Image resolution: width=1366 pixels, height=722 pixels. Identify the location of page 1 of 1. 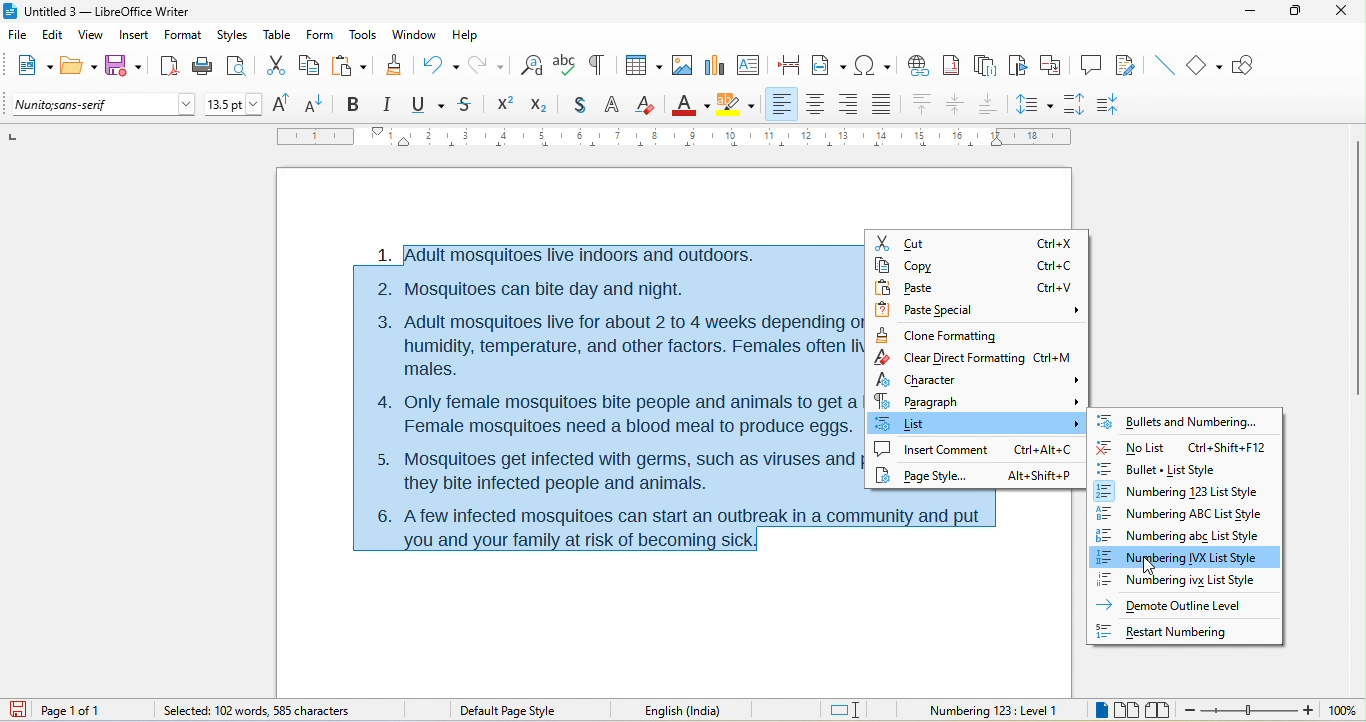
(91, 710).